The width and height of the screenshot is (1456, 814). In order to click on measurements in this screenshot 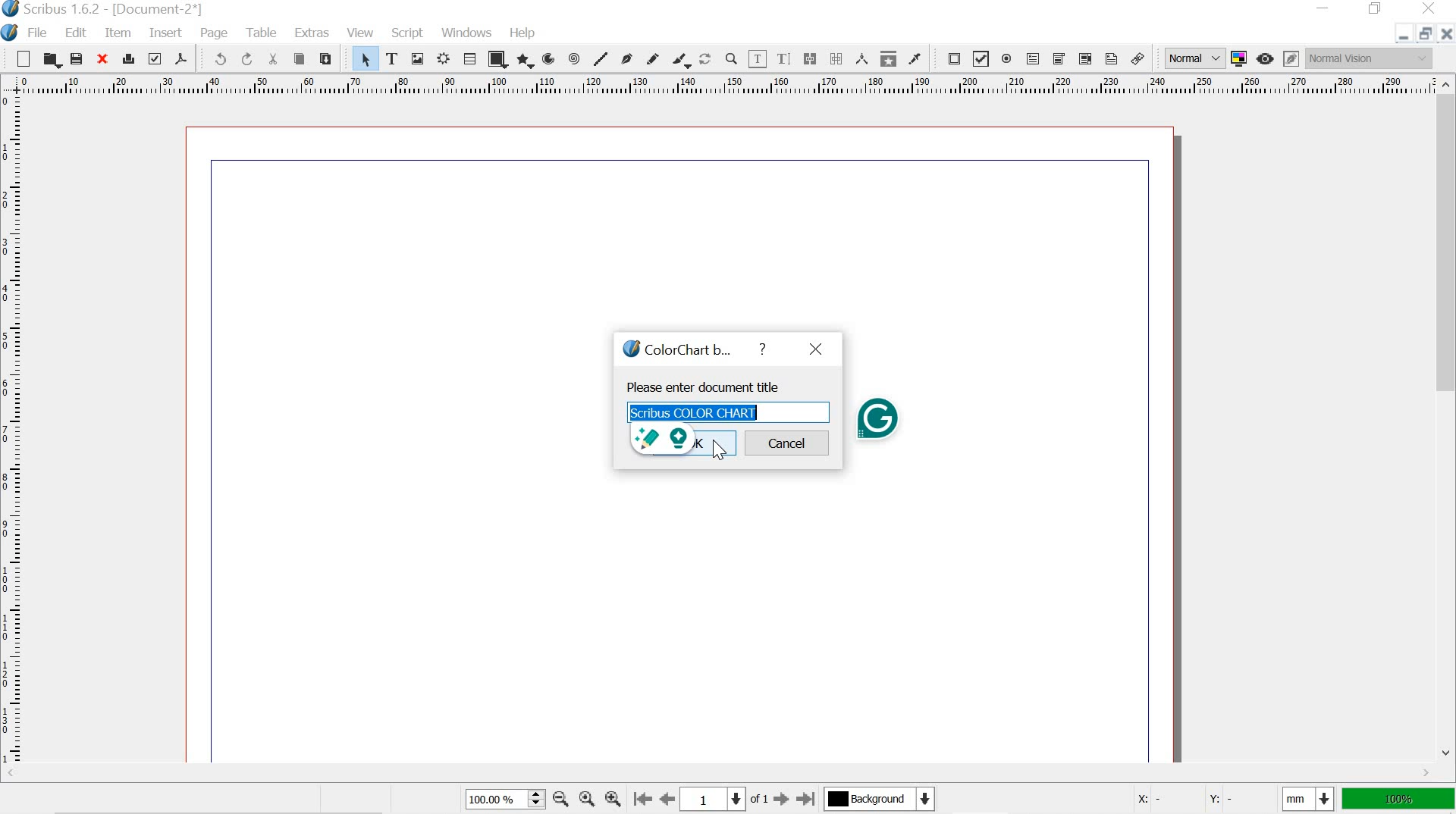, I will do `click(863, 59)`.